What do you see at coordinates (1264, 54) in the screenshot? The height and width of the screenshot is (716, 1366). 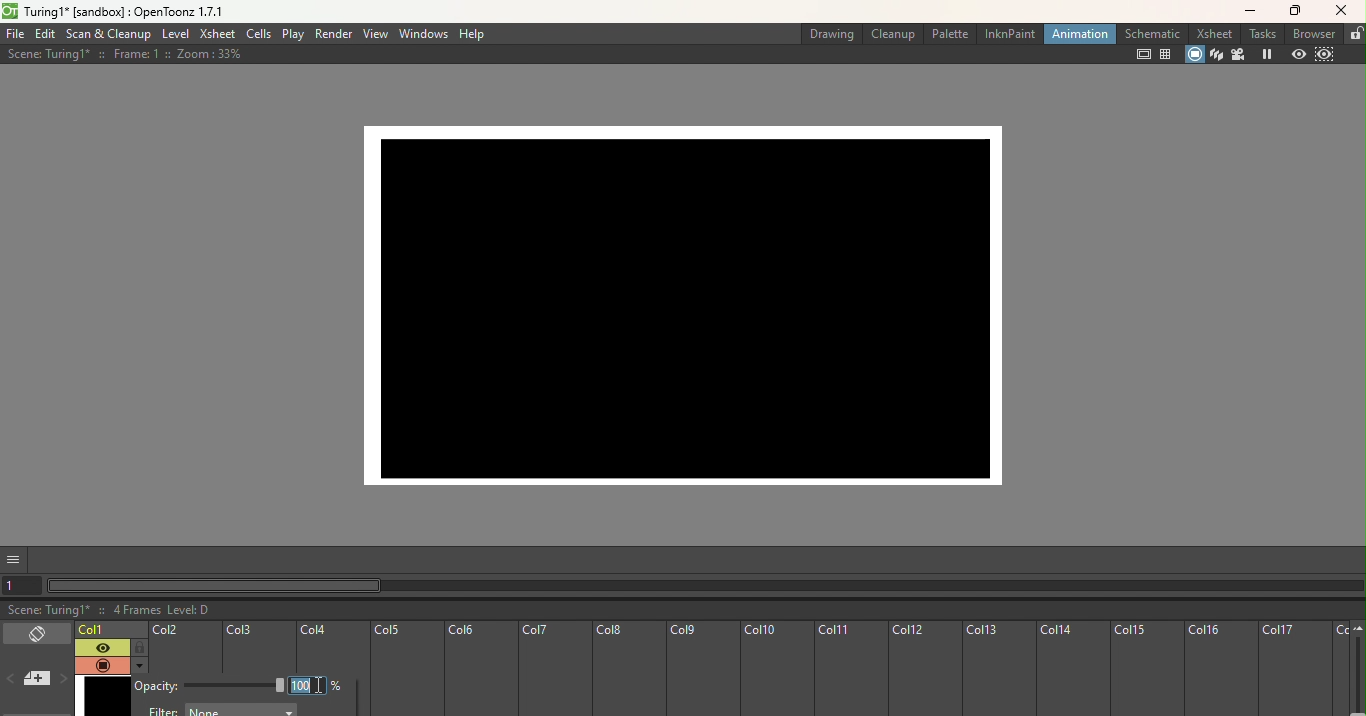 I see `Freeze` at bounding box center [1264, 54].